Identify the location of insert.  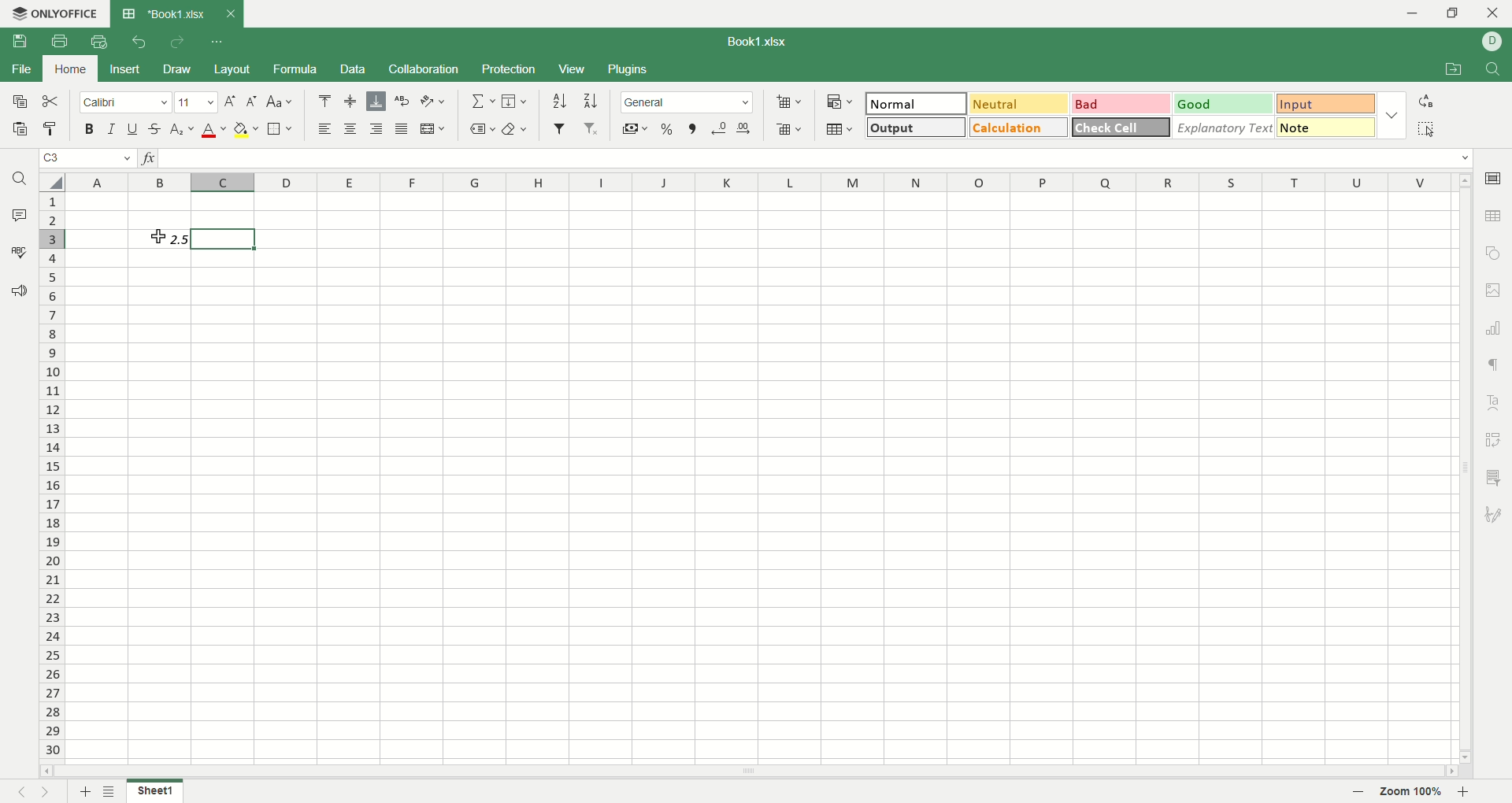
(121, 70).